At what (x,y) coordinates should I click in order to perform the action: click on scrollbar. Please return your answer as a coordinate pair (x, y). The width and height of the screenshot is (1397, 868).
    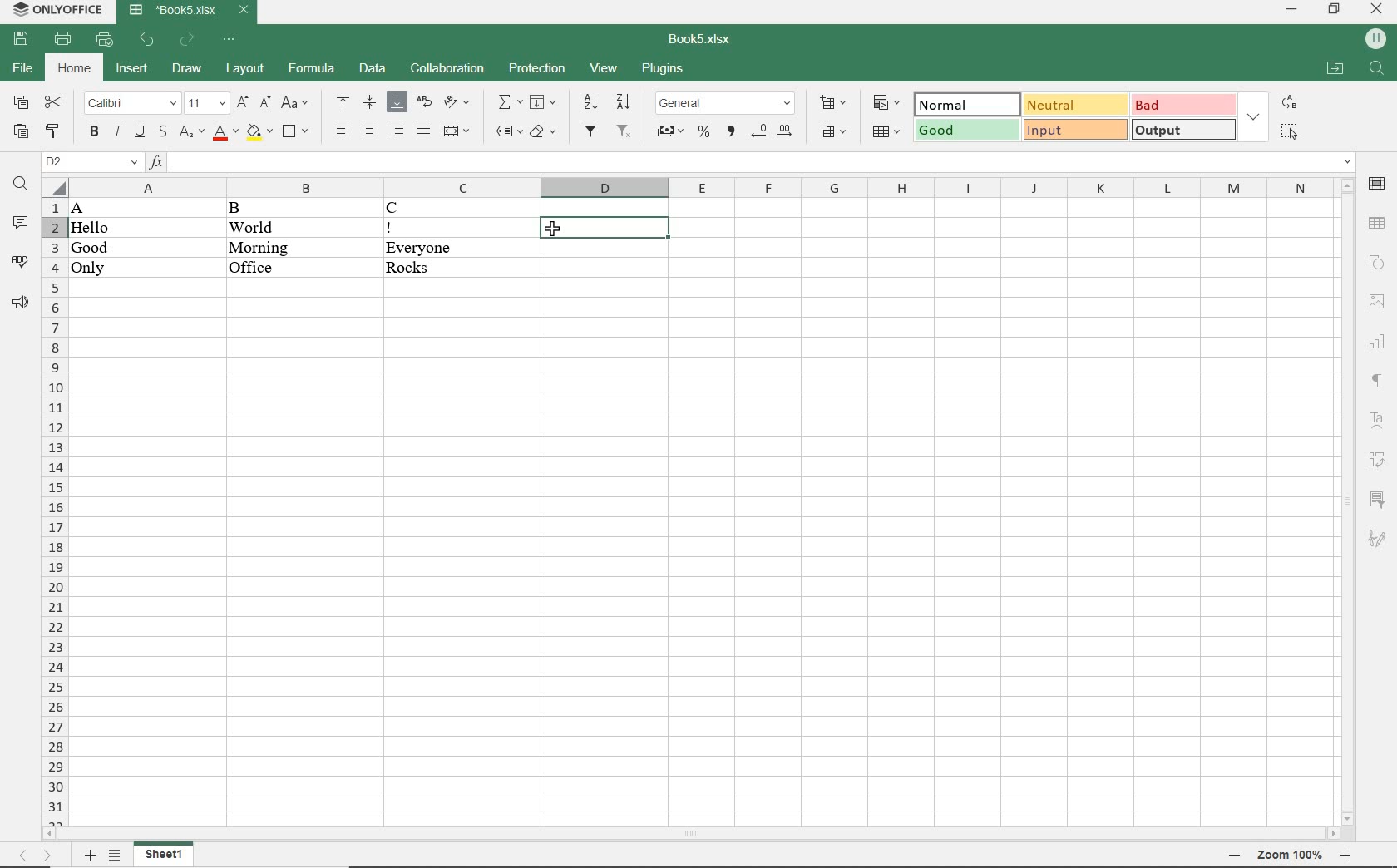
    Looking at the image, I should click on (1346, 501).